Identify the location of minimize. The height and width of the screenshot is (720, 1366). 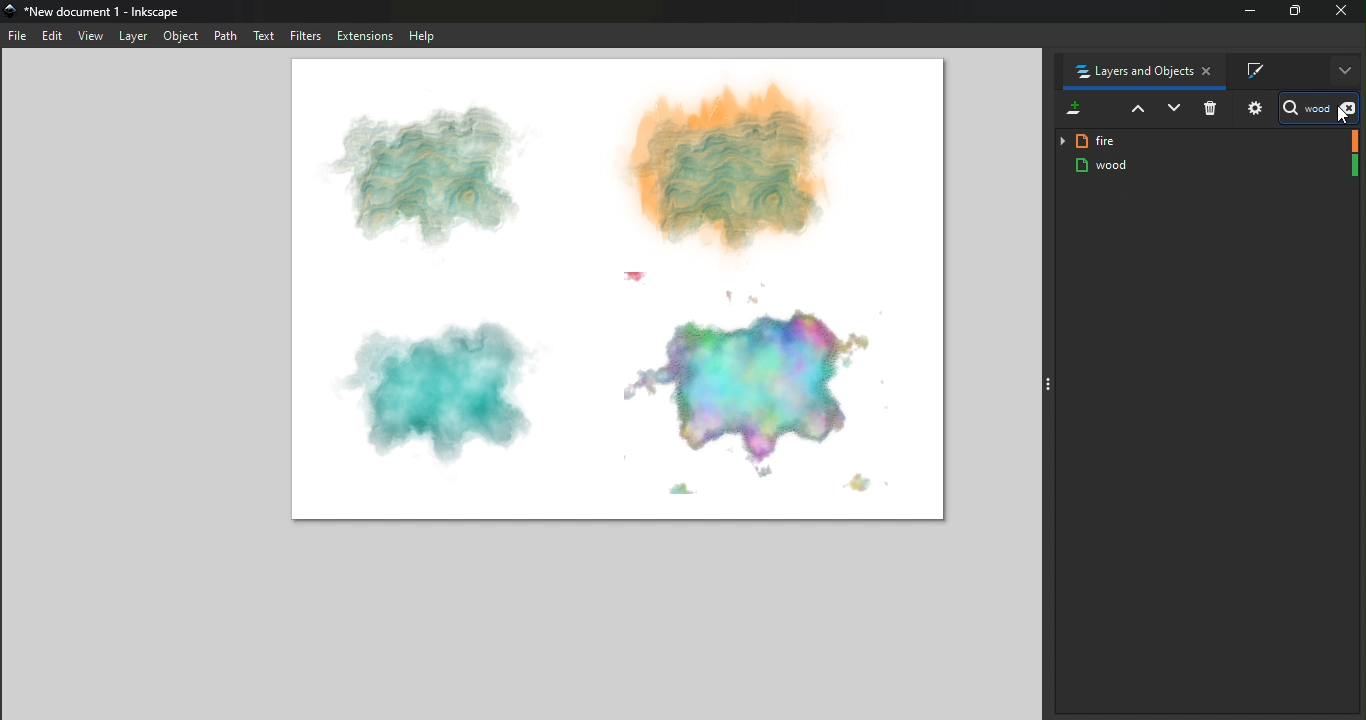
(1252, 11).